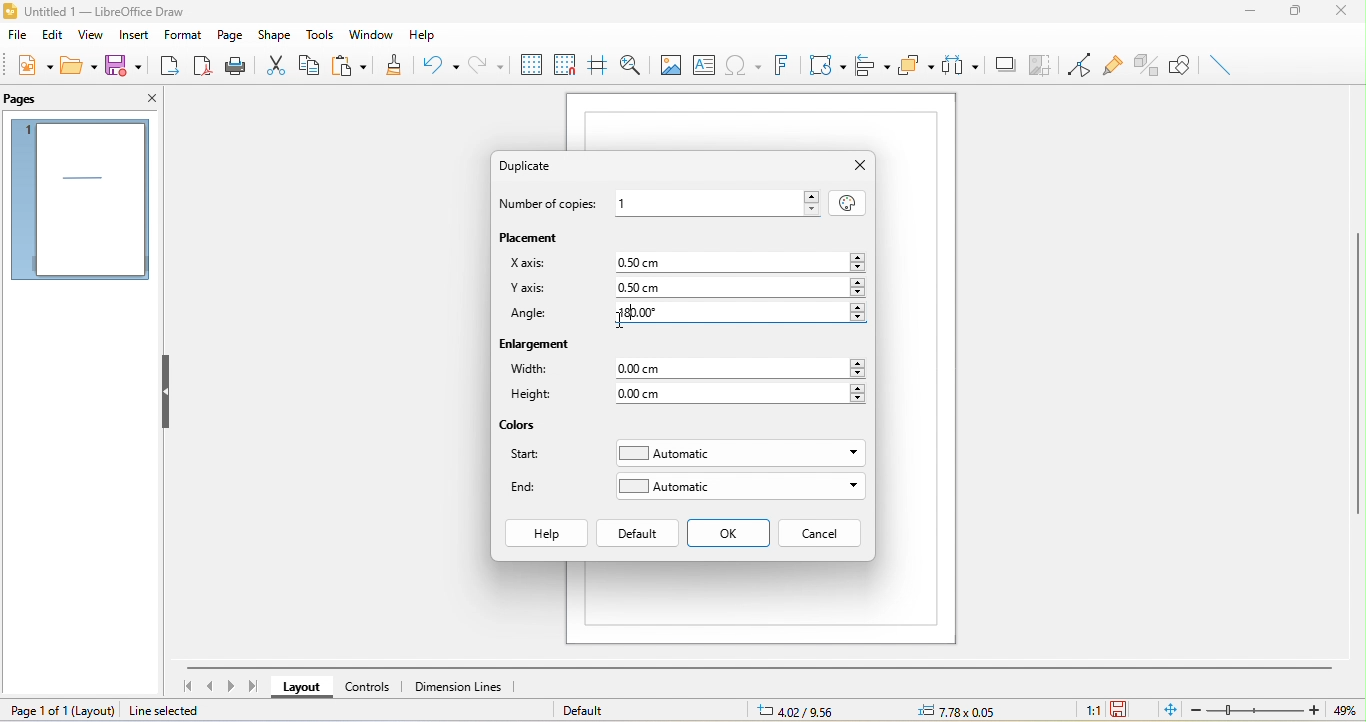  Describe the element at coordinates (596, 61) in the screenshot. I see `helping while moving` at that location.